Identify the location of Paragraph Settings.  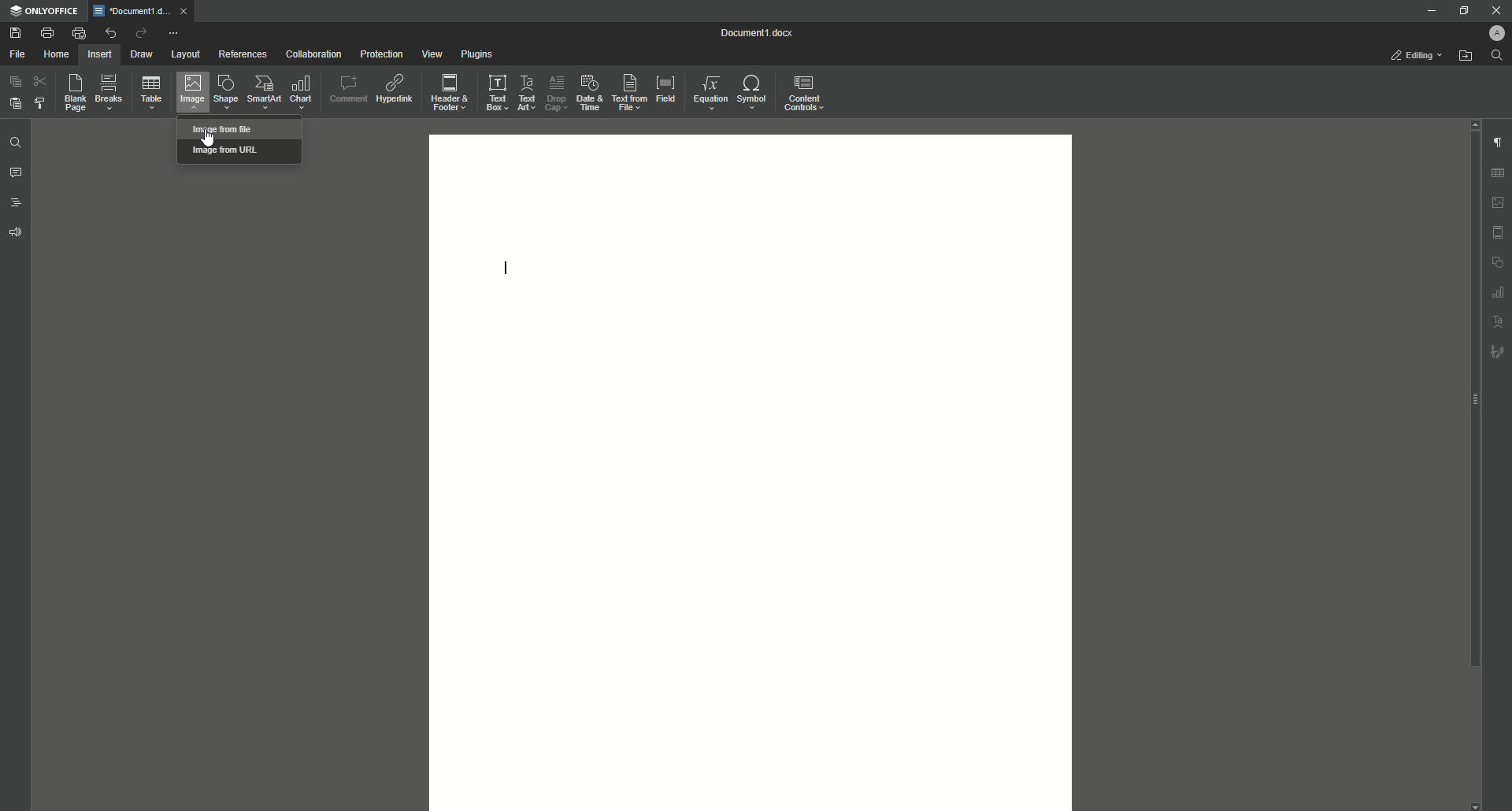
(1499, 143).